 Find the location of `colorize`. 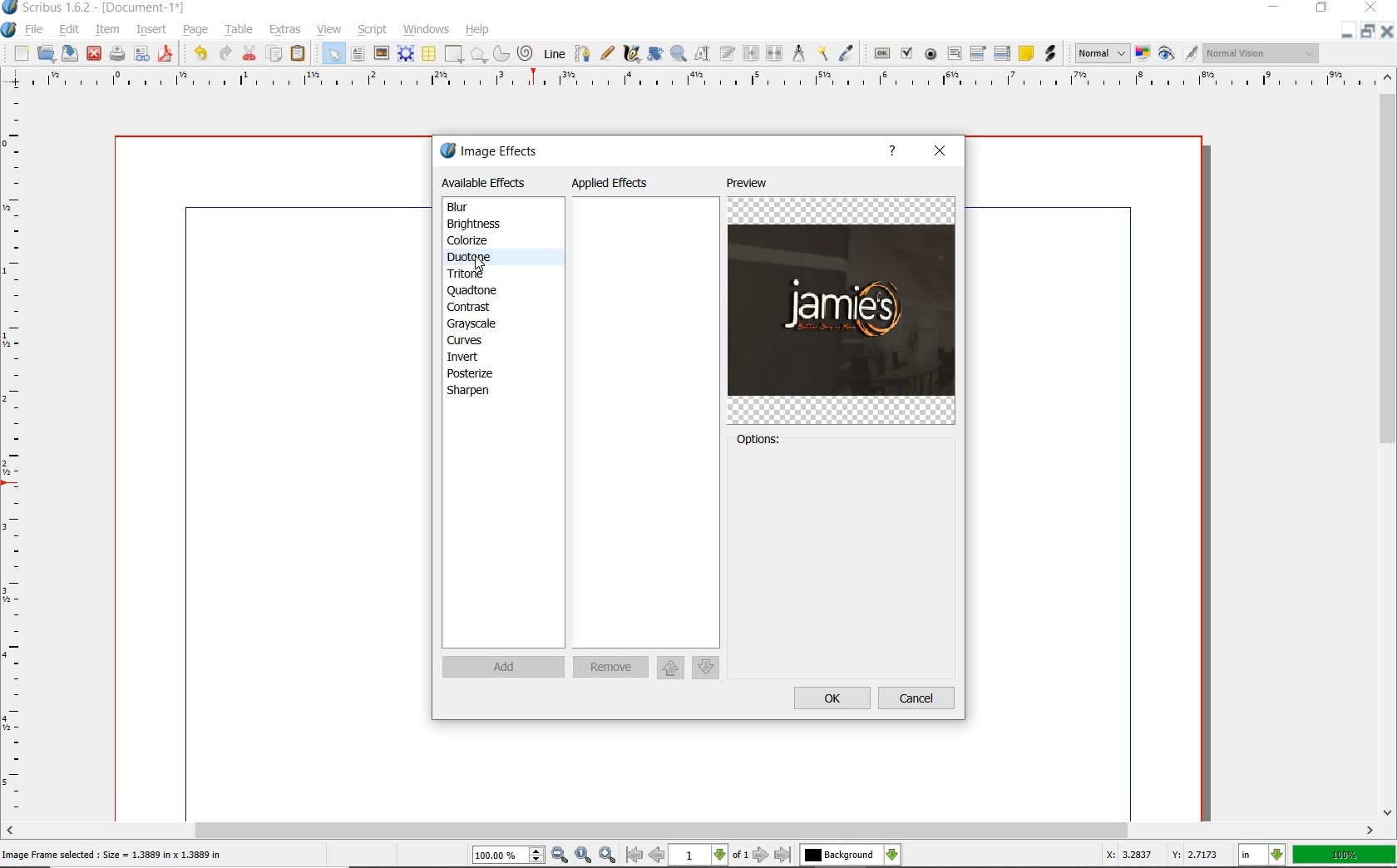

colorize is located at coordinates (482, 240).